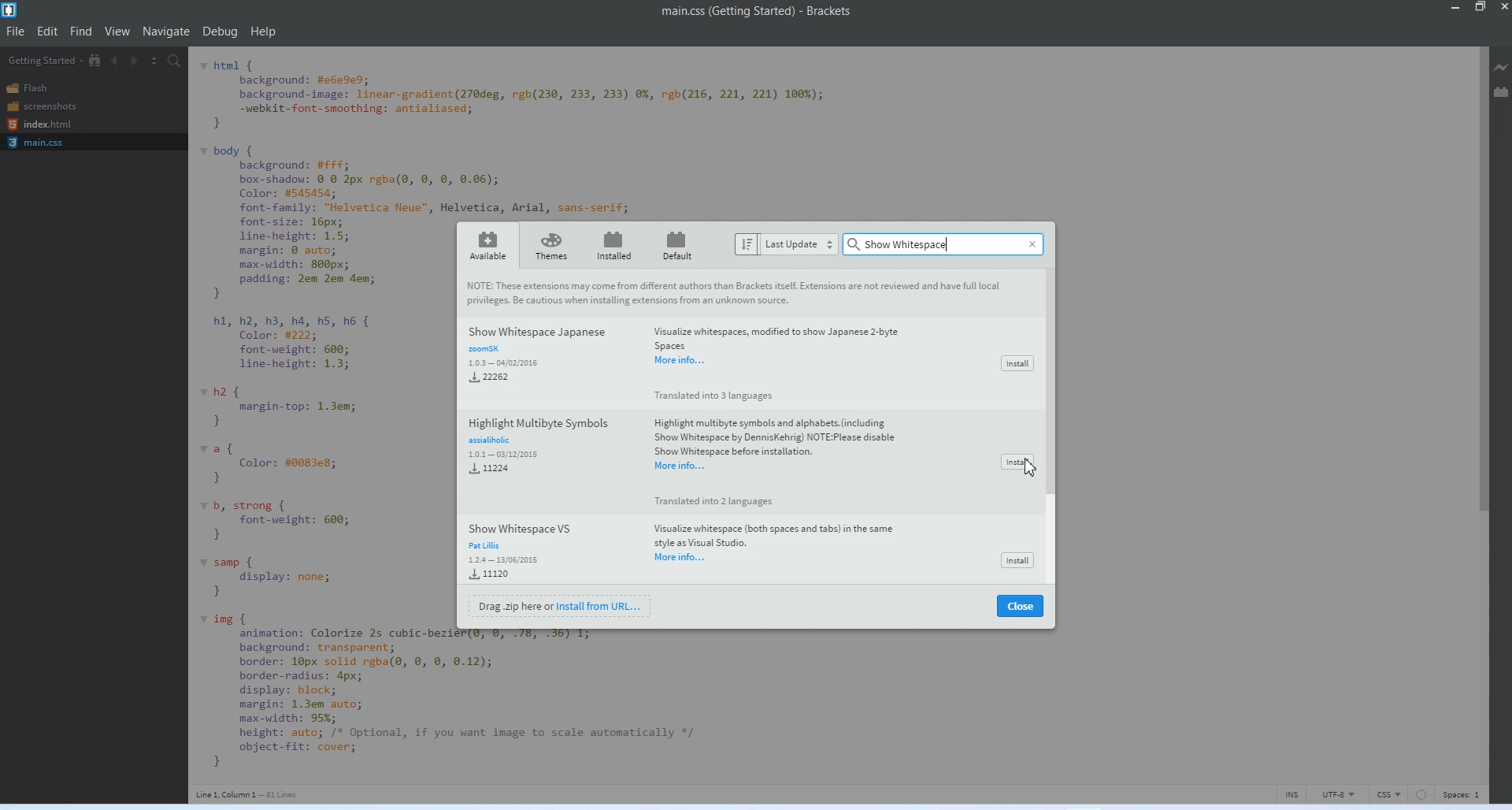  Describe the element at coordinates (736, 293) in the screenshot. I see `Text` at that location.